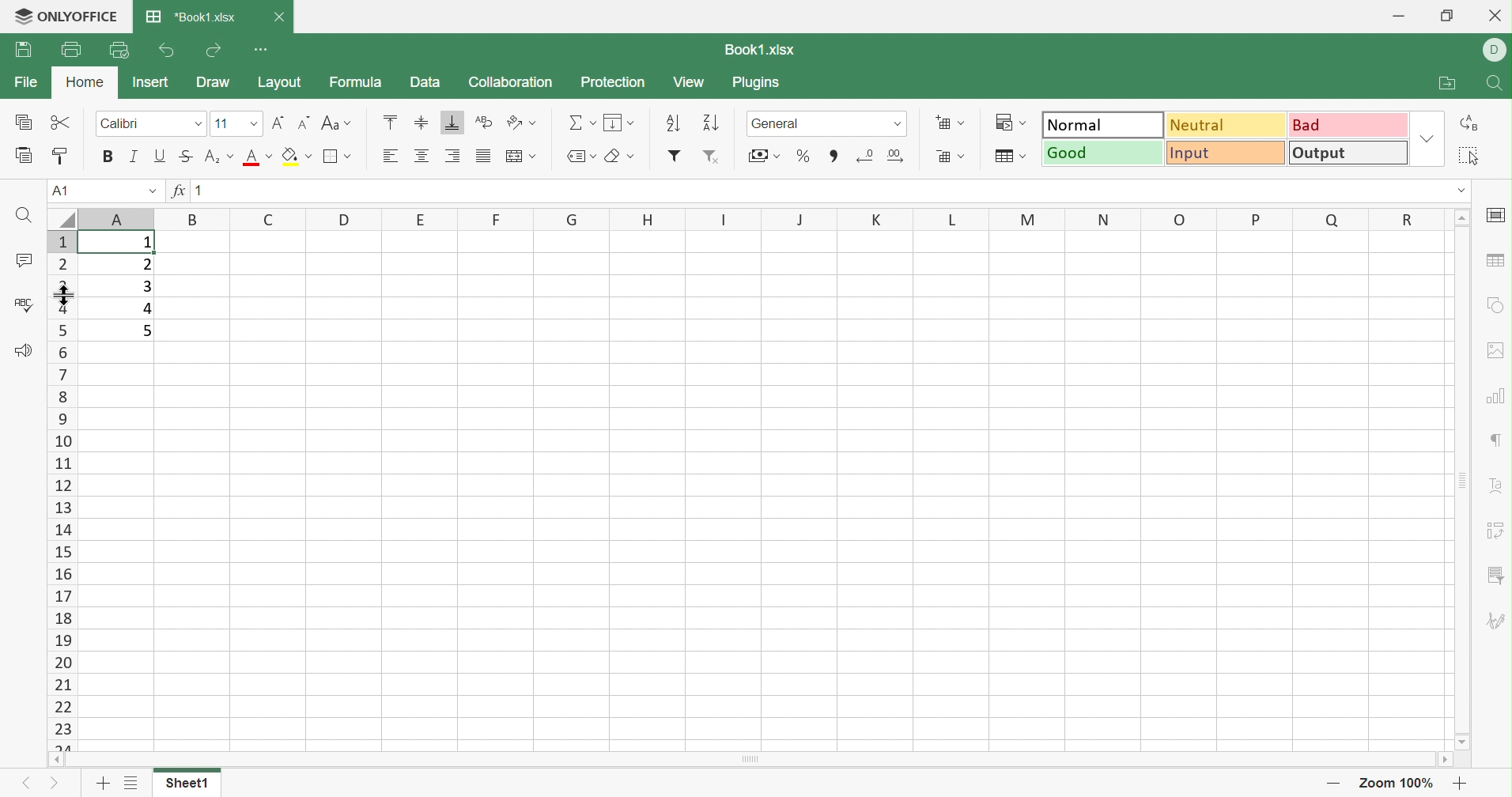 This screenshot has height=797, width=1512. What do you see at coordinates (614, 120) in the screenshot?
I see `Fill` at bounding box center [614, 120].